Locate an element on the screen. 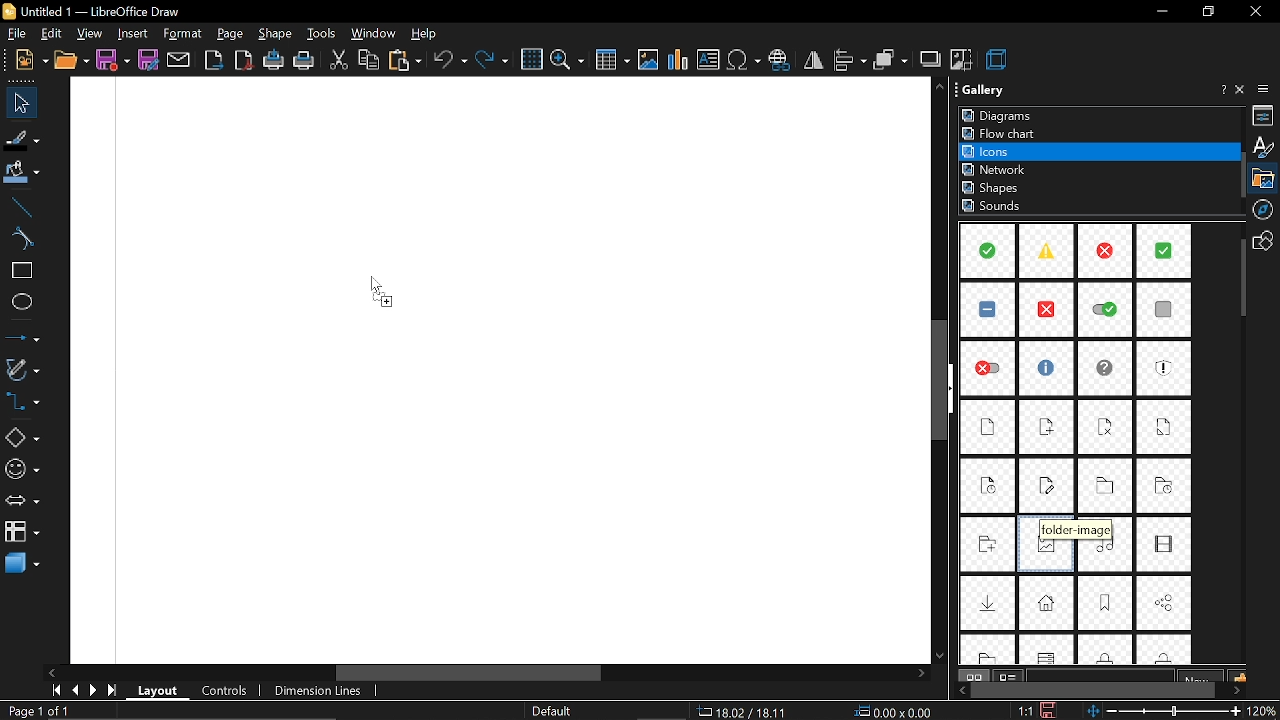 The width and height of the screenshot is (1280, 720). fill line is located at coordinates (20, 137).